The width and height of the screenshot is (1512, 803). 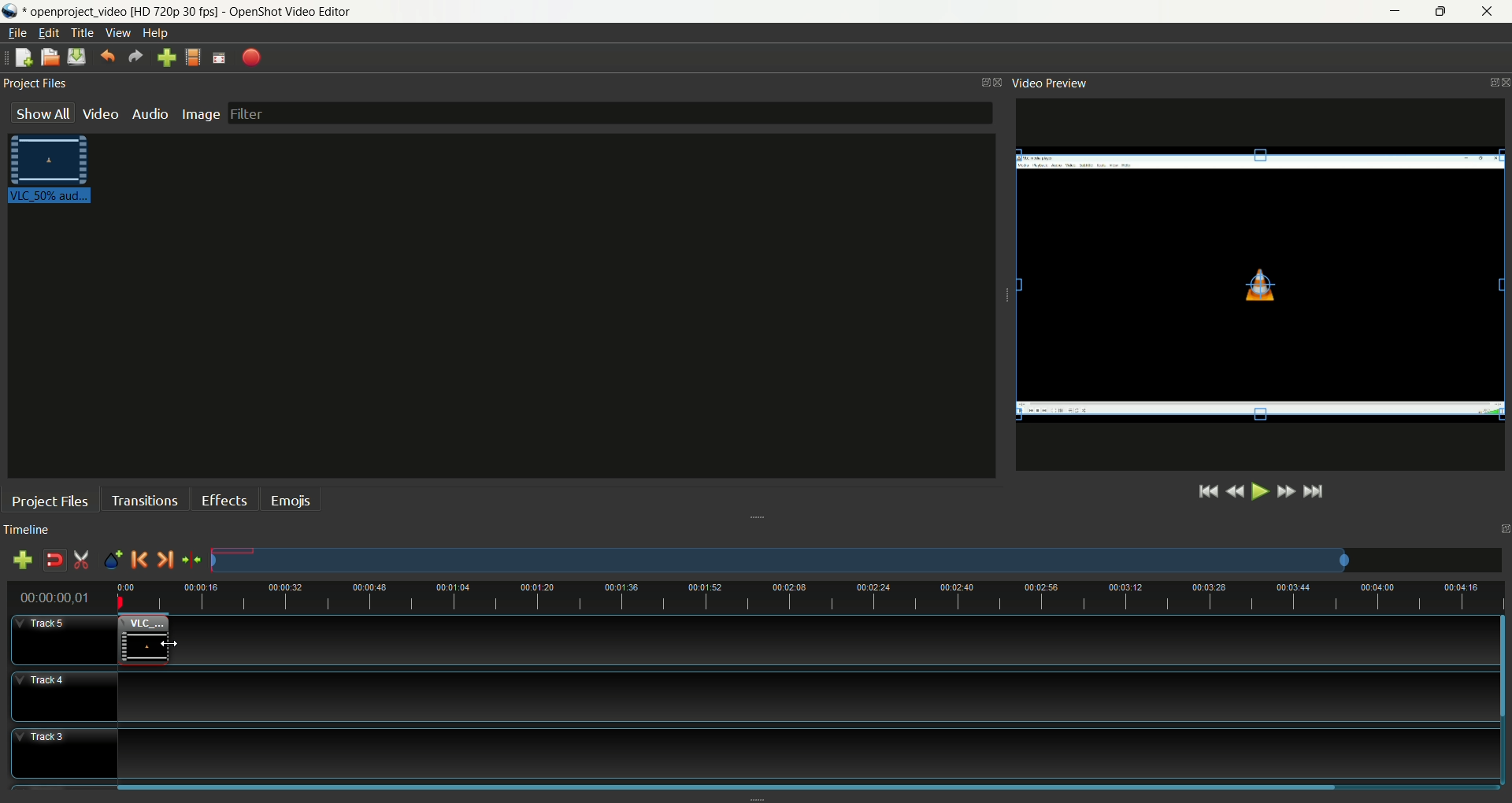 I want to click on choose profile, so click(x=196, y=57).